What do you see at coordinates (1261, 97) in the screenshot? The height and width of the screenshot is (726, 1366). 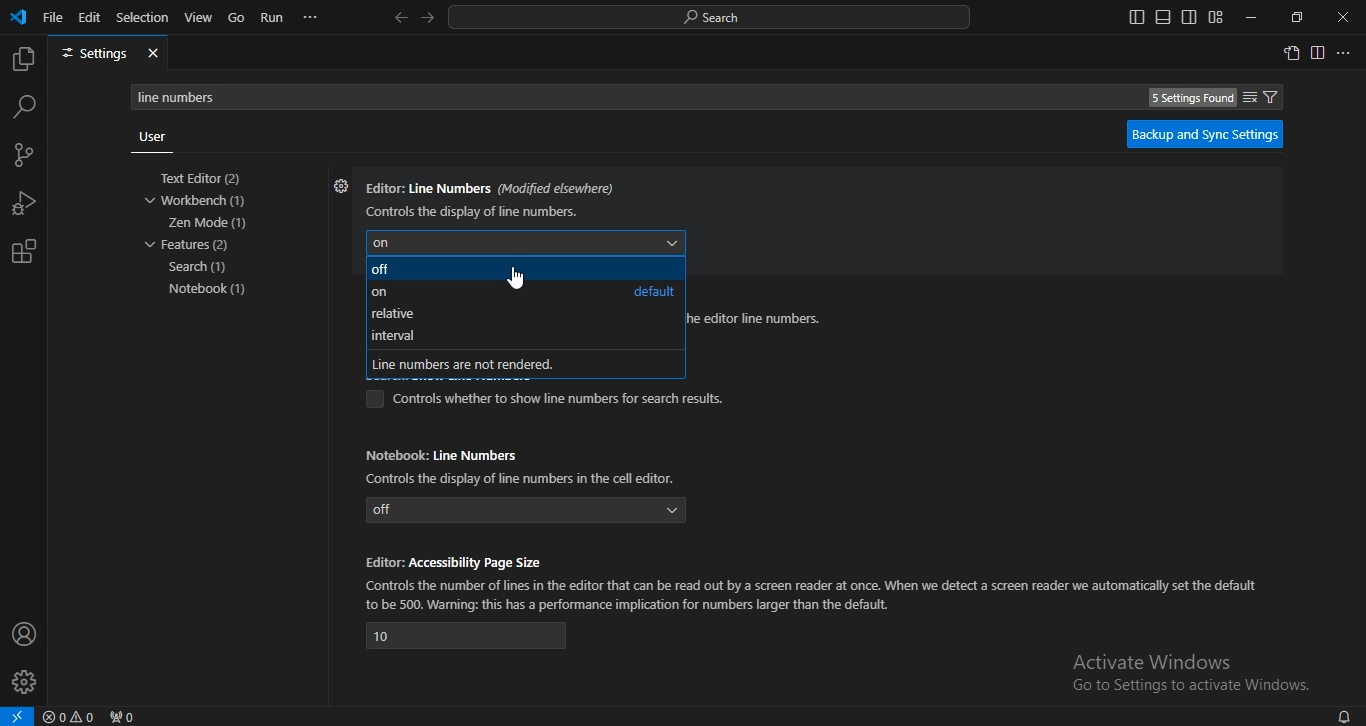 I see `filter` at bounding box center [1261, 97].